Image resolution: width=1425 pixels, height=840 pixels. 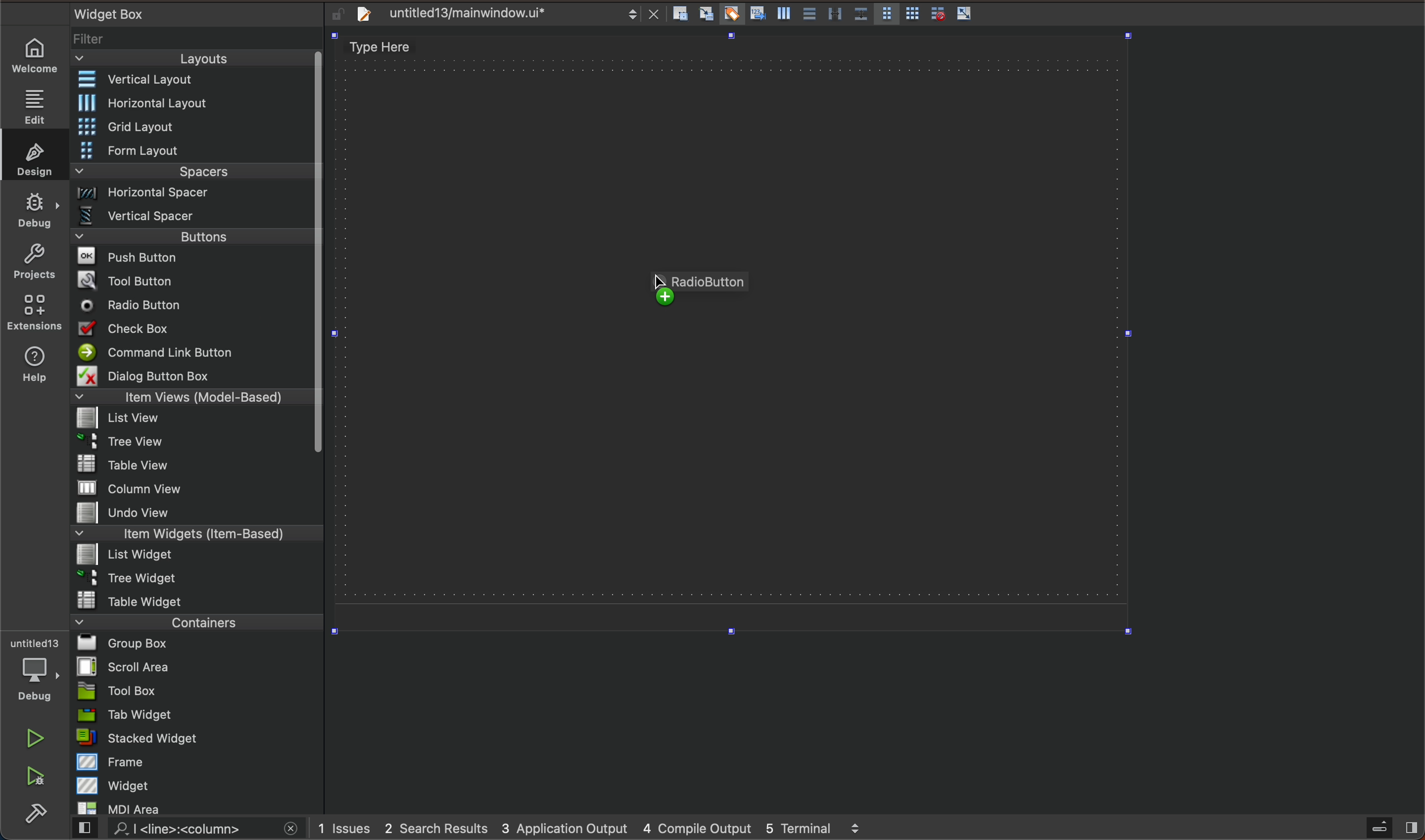 I want to click on , so click(x=935, y=14).